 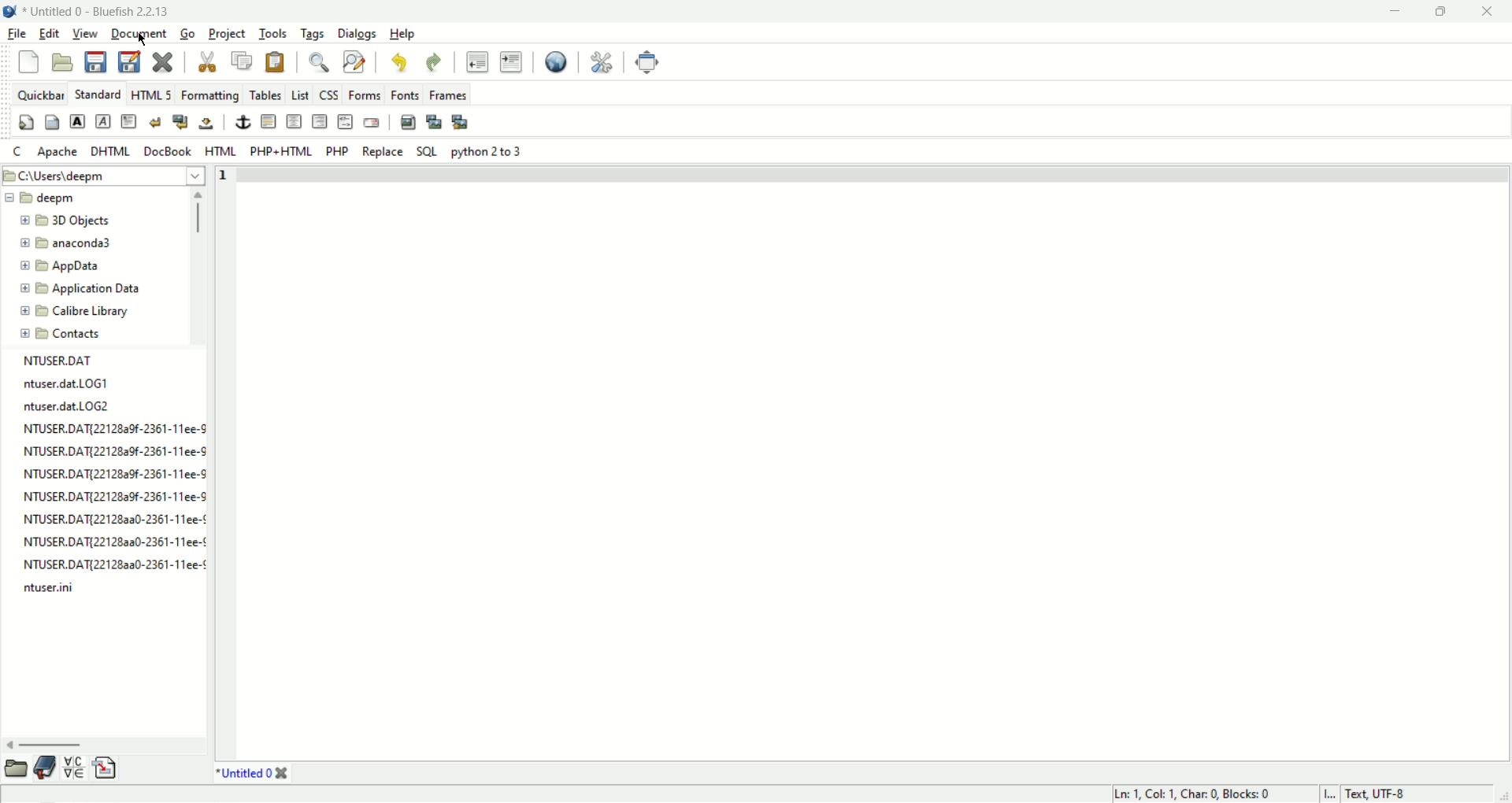 What do you see at coordinates (407, 95) in the screenshot?
I see `fonts` at bounding box center [407, 95].